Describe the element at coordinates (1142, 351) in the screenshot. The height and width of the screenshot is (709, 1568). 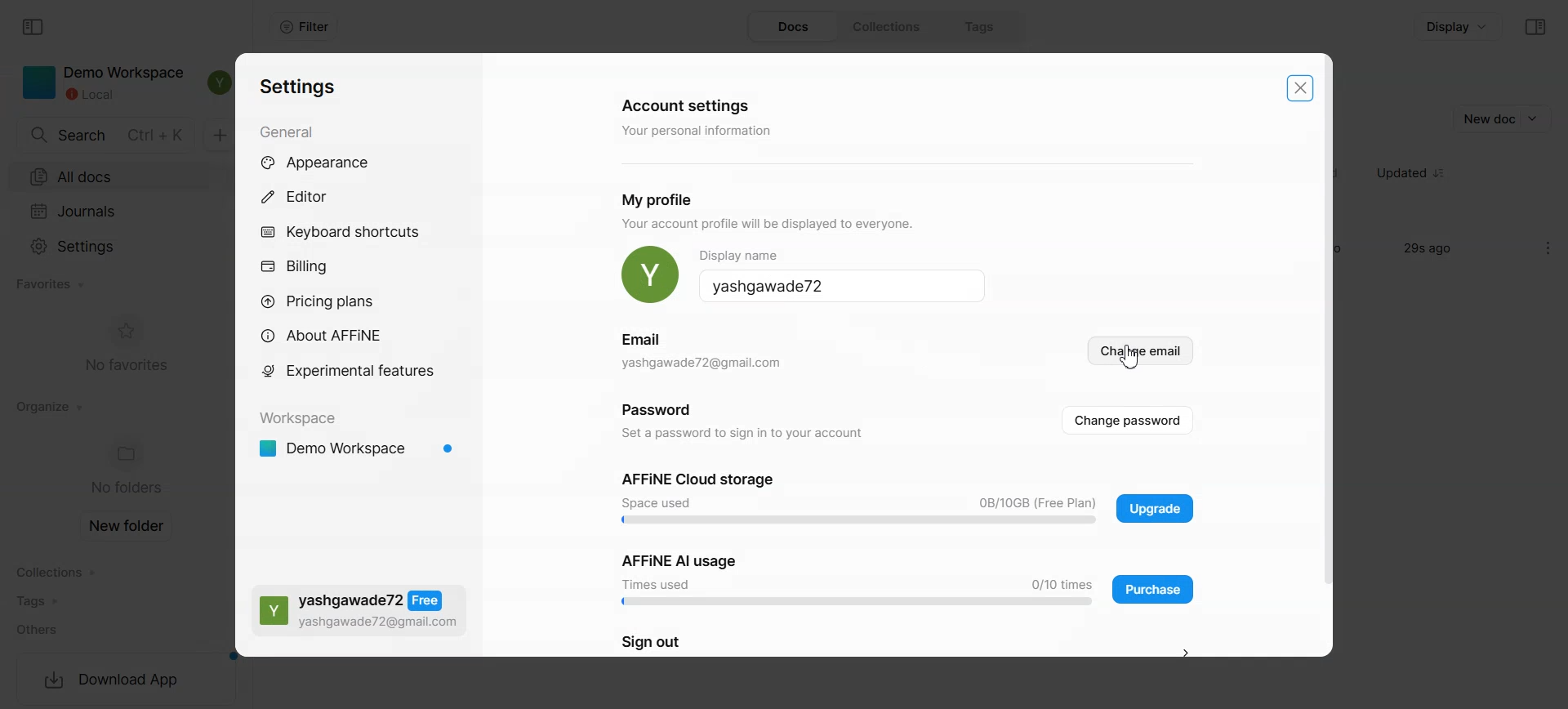
I see `Change email` at that location.